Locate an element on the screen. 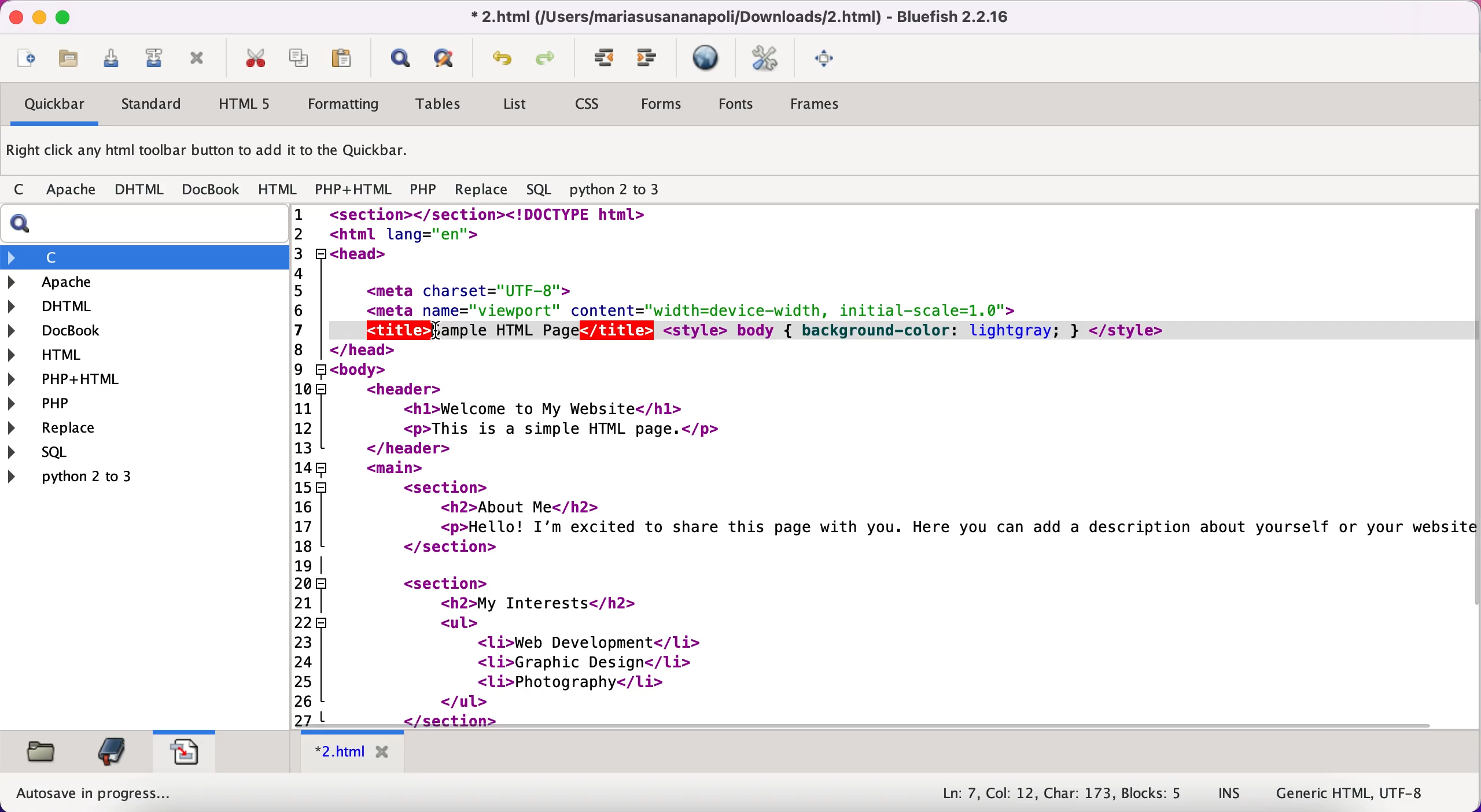 The height and width of the screenshot is (812, 1481). filebrowser is located at coordinates (43, 752).